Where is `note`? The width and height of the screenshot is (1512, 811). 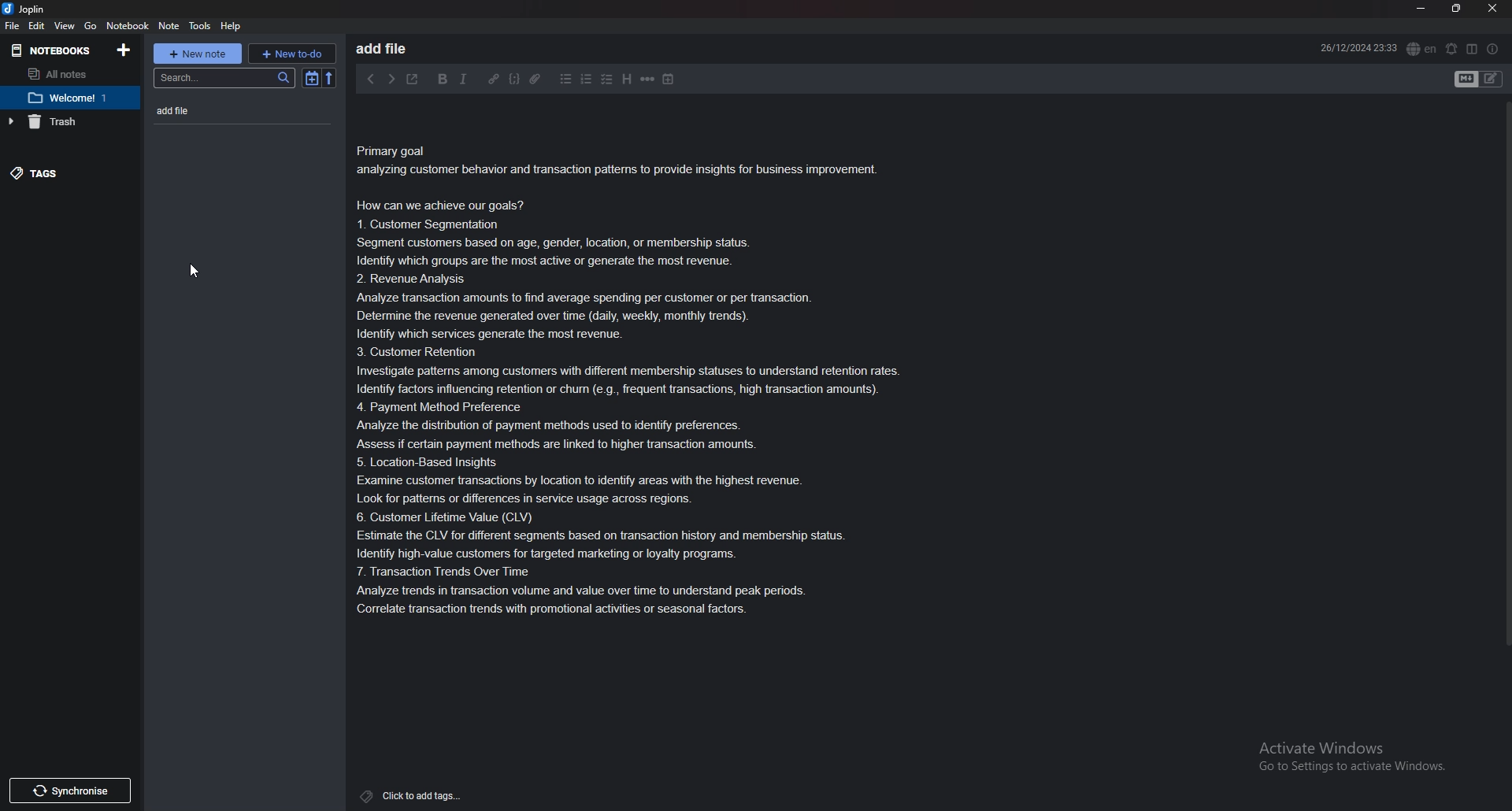 note is located at coordinates (172, 25).